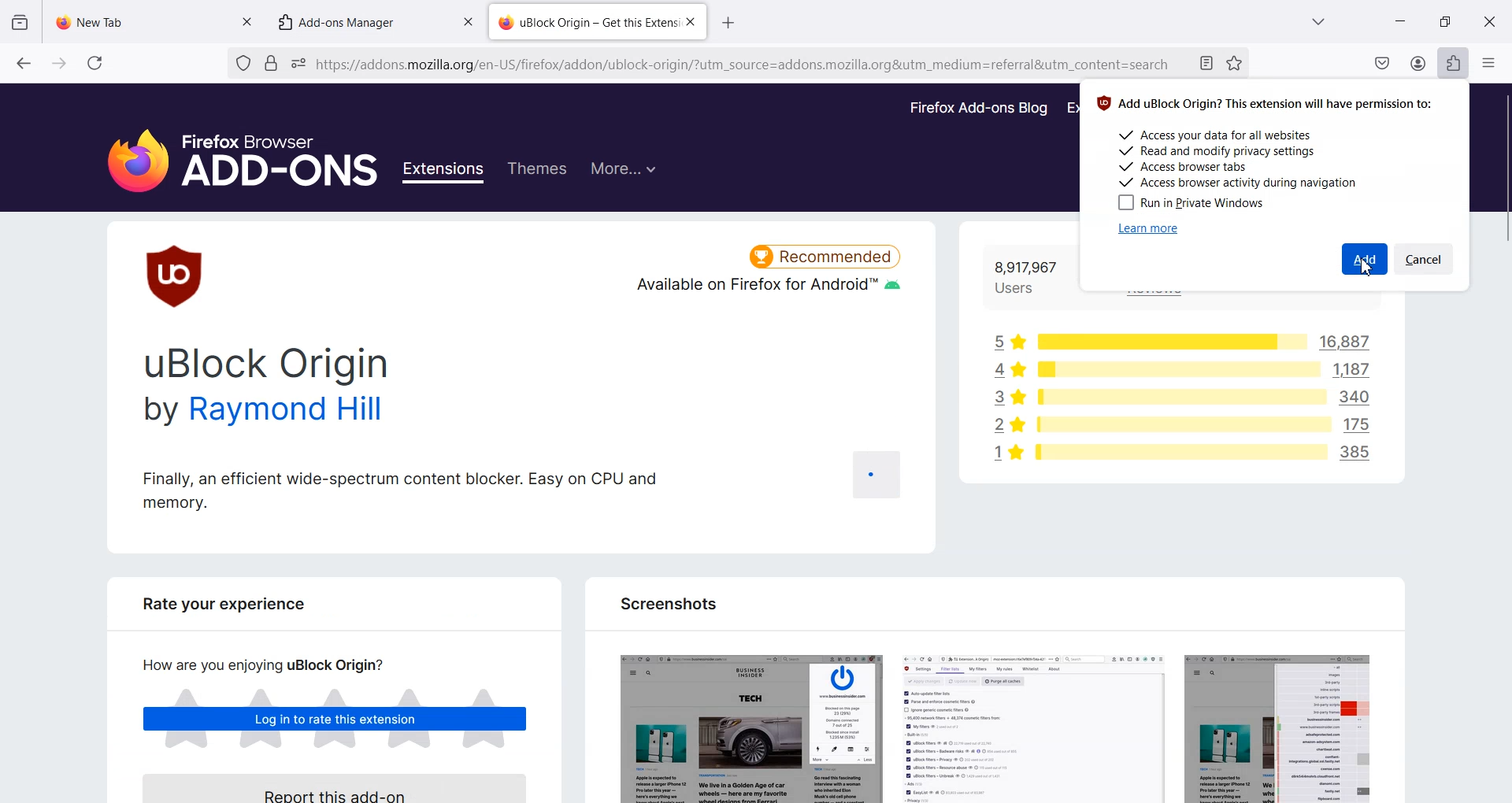 This screenshot has width=1512, height=803. Describe the element at coordinates (23, 62) in the screenshot. I see `Go back to one page` at that location.